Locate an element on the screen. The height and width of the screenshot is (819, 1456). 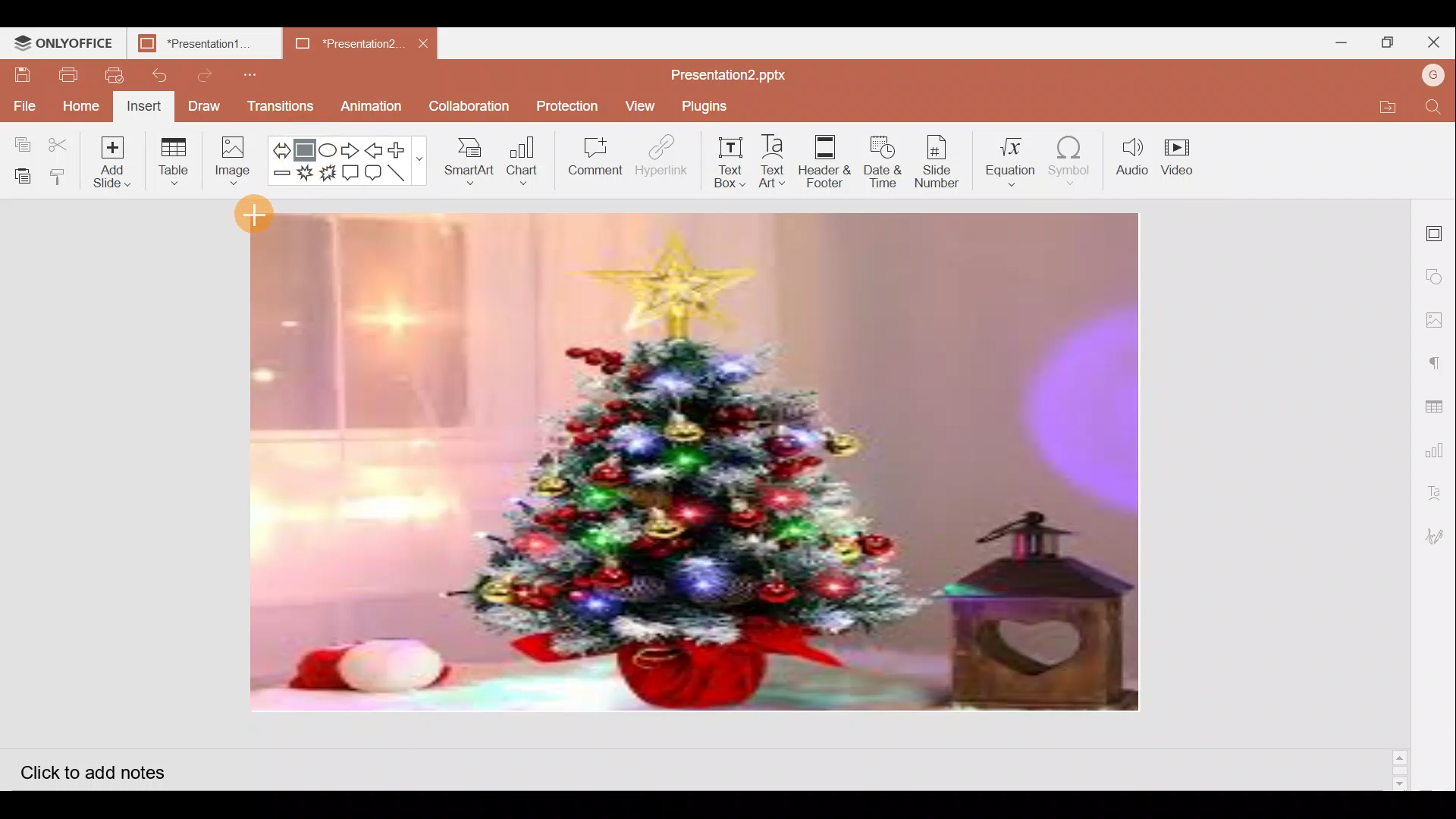
Paste is located at coordinates (21, 173).